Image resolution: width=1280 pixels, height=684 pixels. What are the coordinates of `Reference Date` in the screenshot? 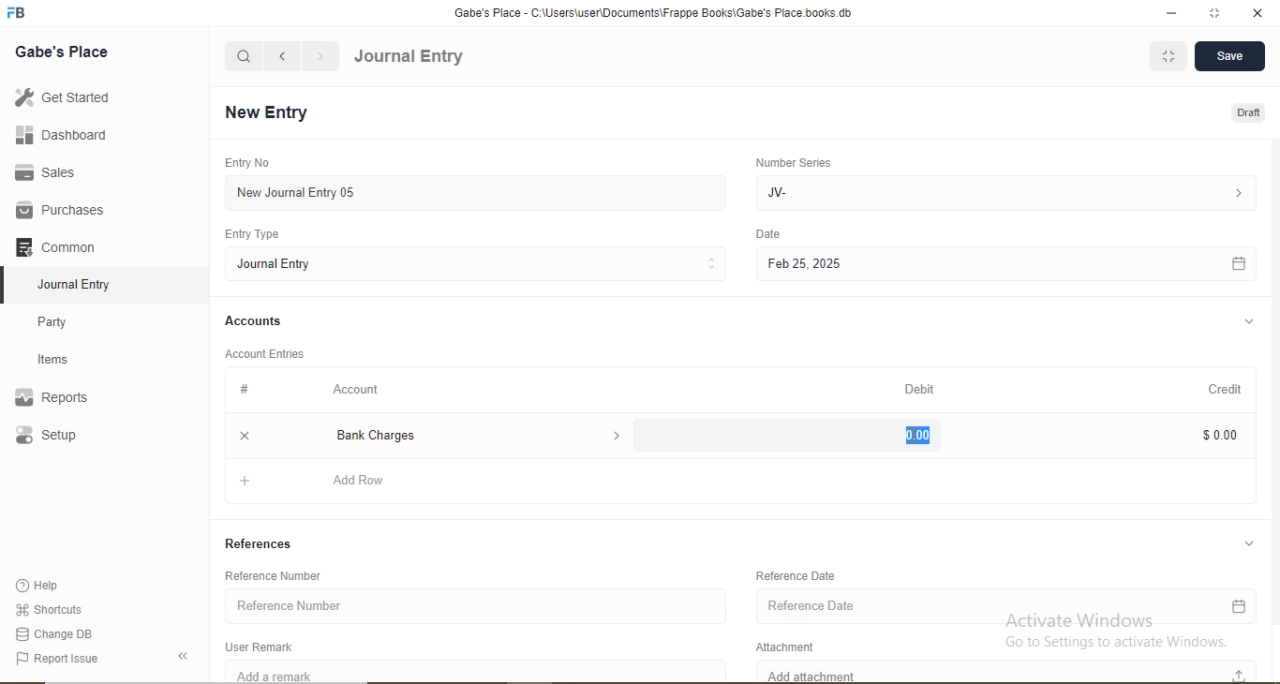 It's located at (798, 575).